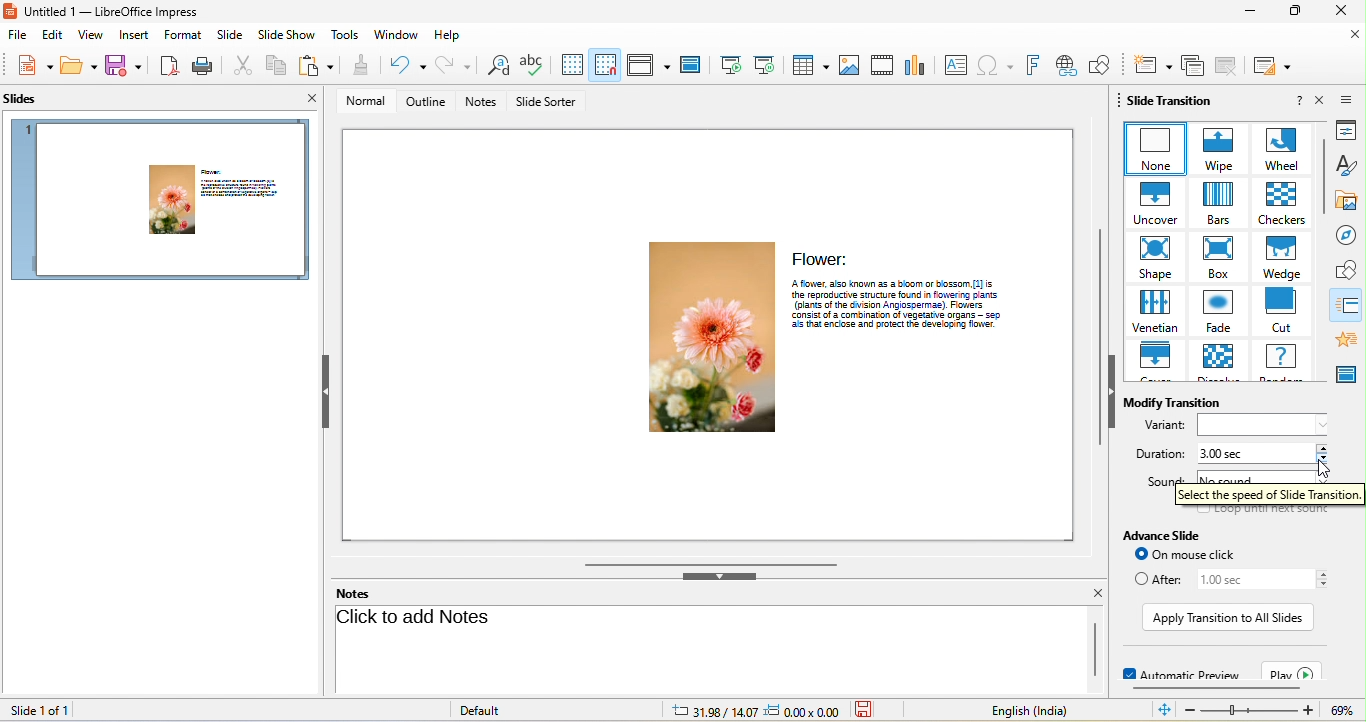  What do you see at coordinates (1350, 235) in the screenshot?
I see `navigator` at bounding box center [1350, 235].